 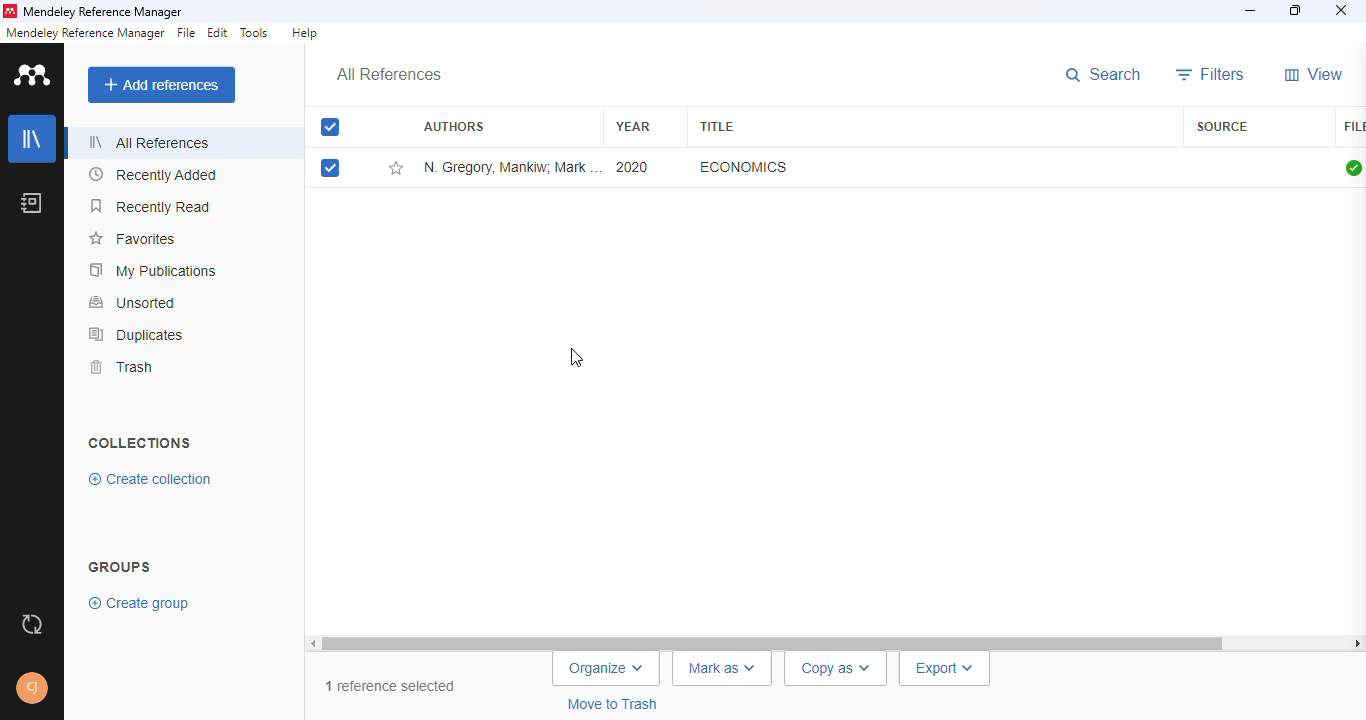 I want to click on favorites, so click(x=131, y=239).